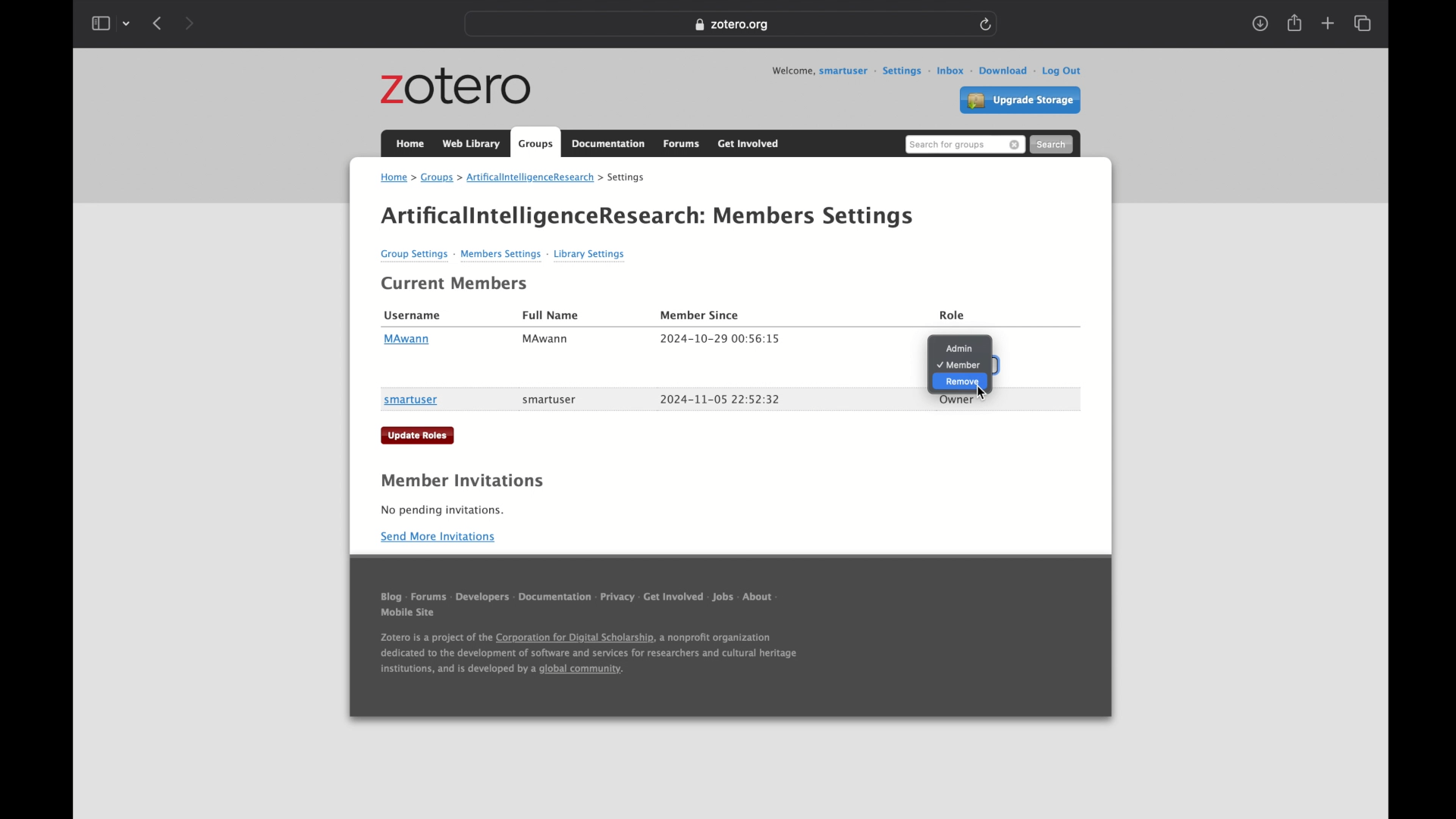  I want to click on upgrade  storage, so click(1020, 101).